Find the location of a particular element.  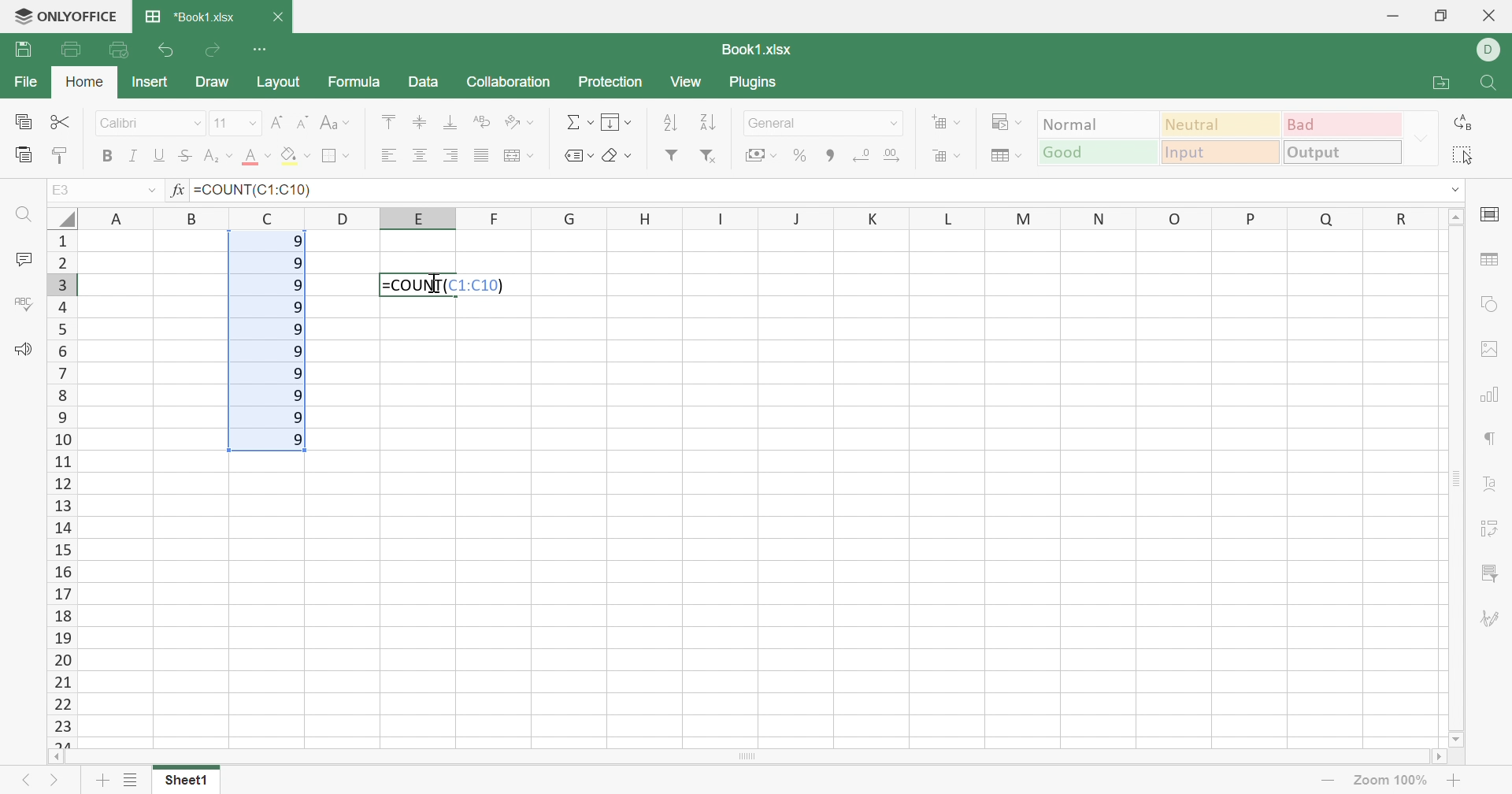

Decrease decimals is located at coordinates (862, 154).